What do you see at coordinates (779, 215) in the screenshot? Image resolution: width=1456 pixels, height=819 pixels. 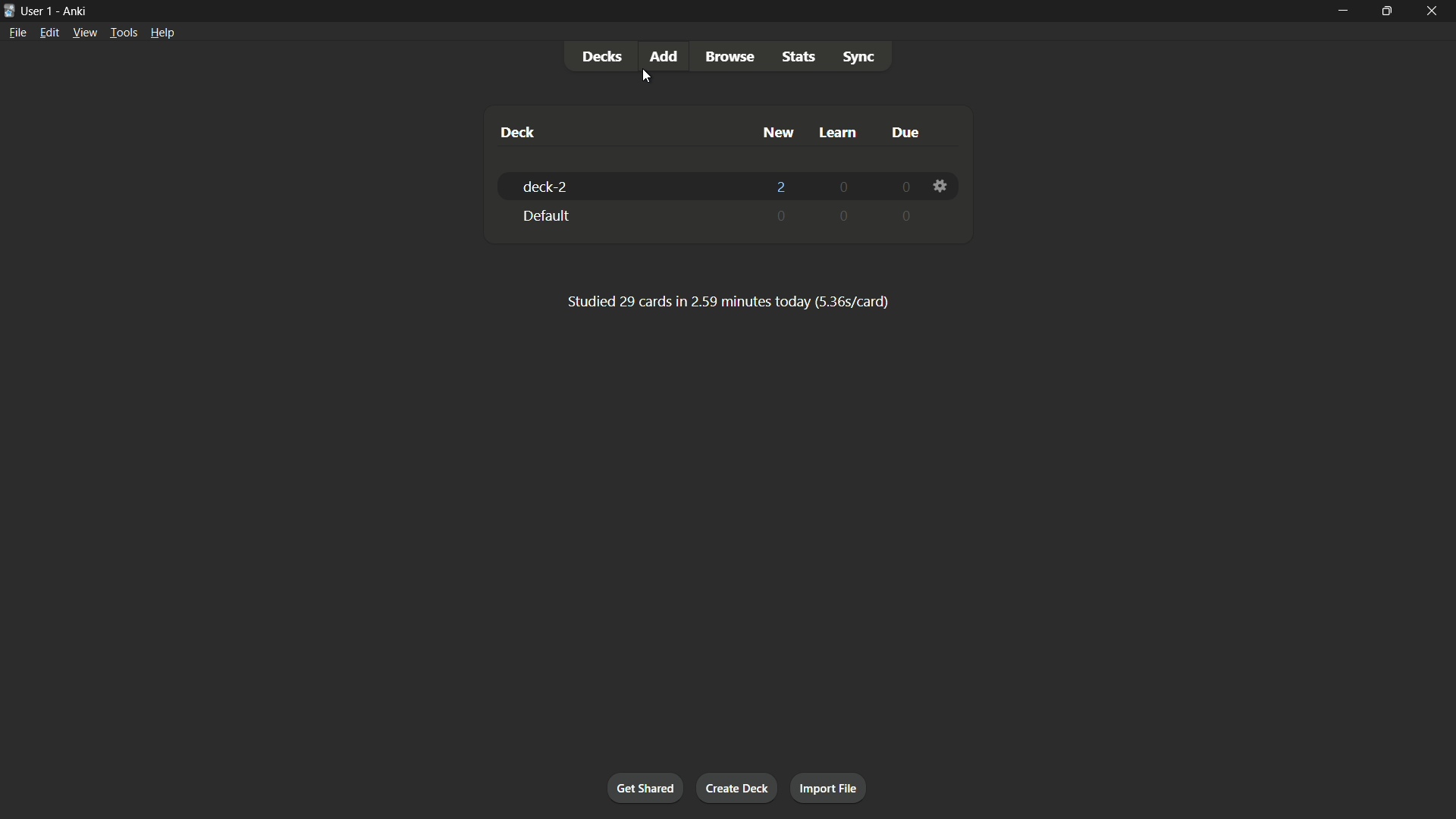 I see `0` at bounding box center [779, 215].